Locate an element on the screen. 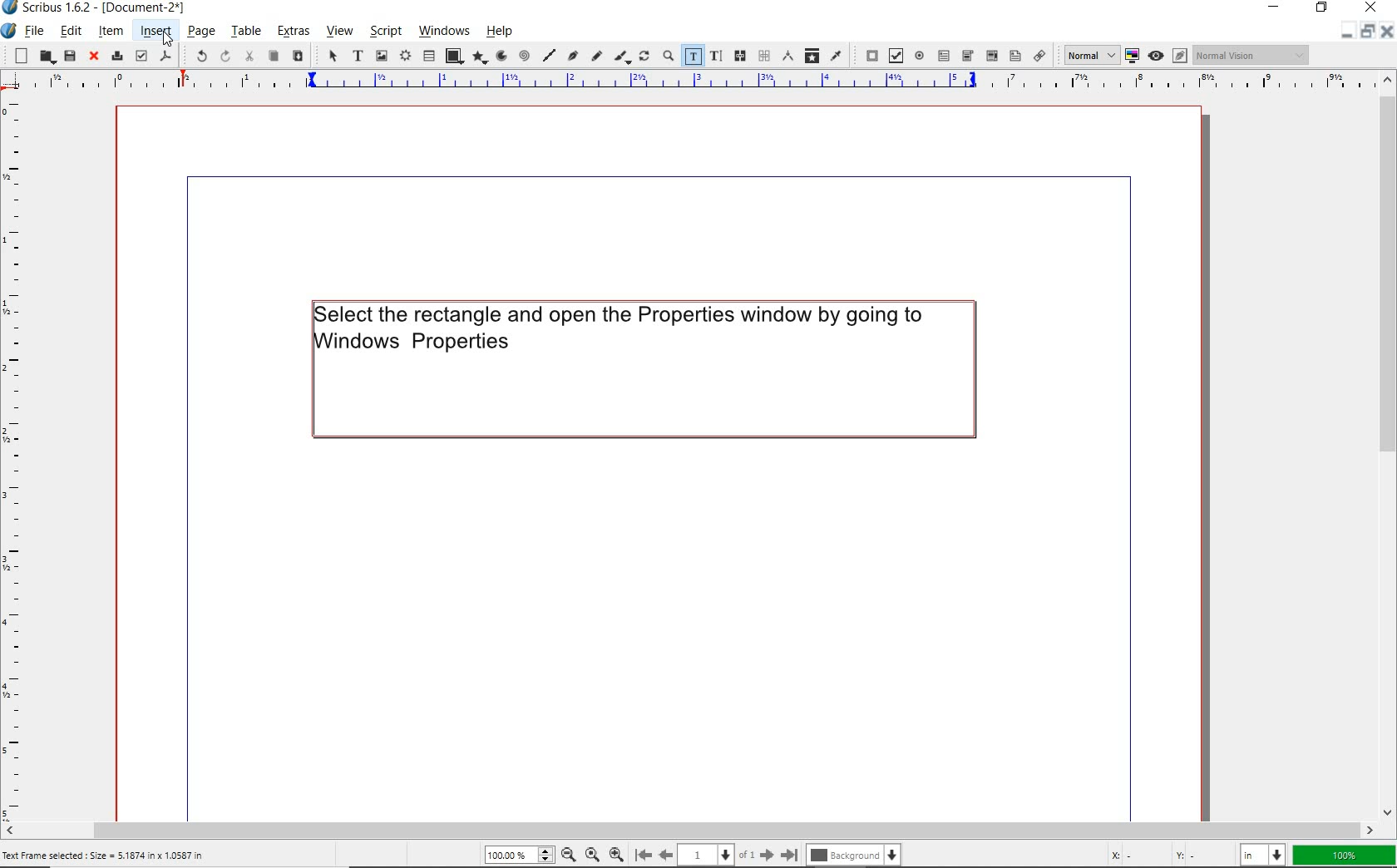  minimize is located at coordinates (1276, 6).